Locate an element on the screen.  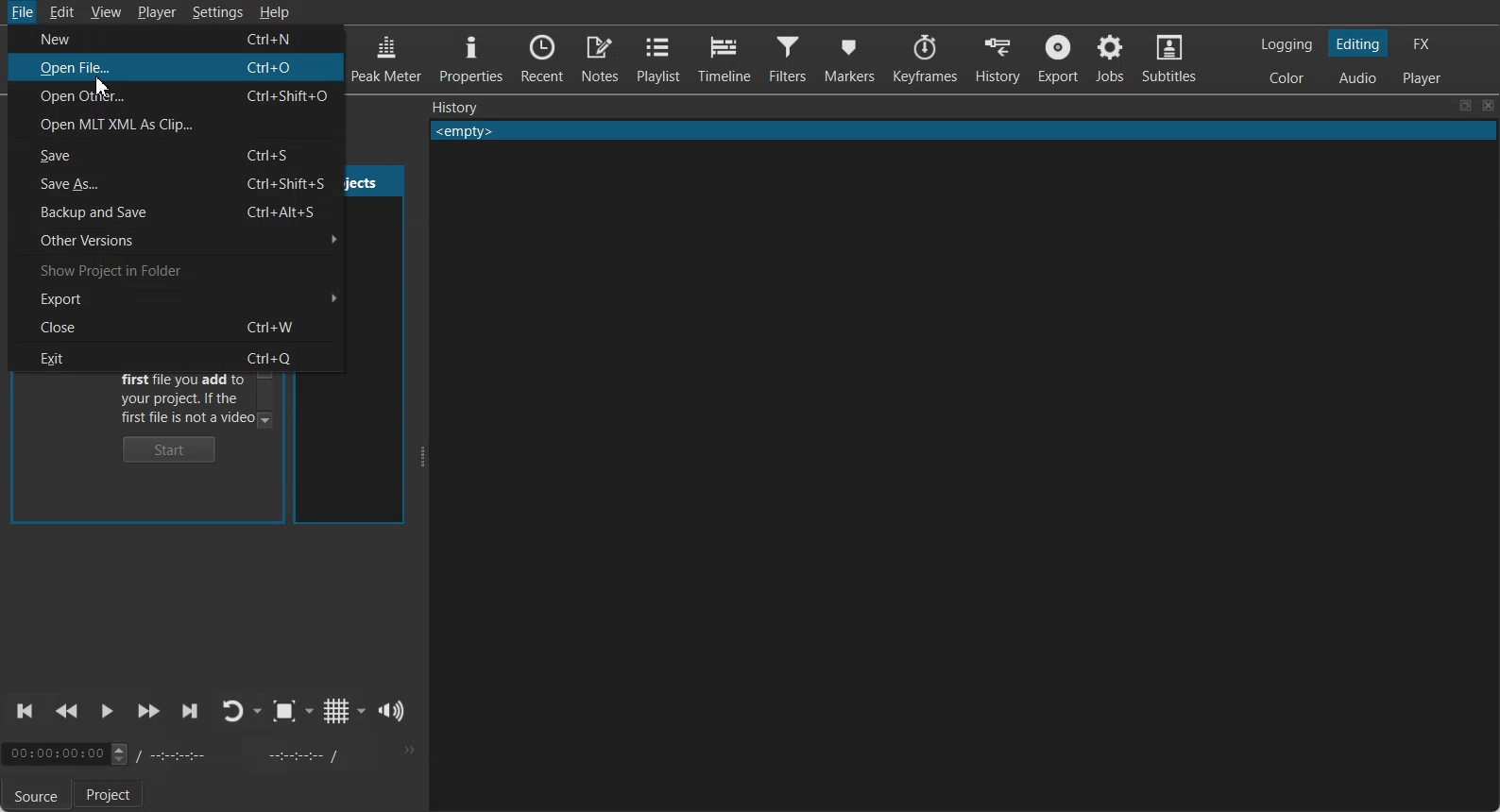
Skip to previous point is located at coordinates (26, 711).